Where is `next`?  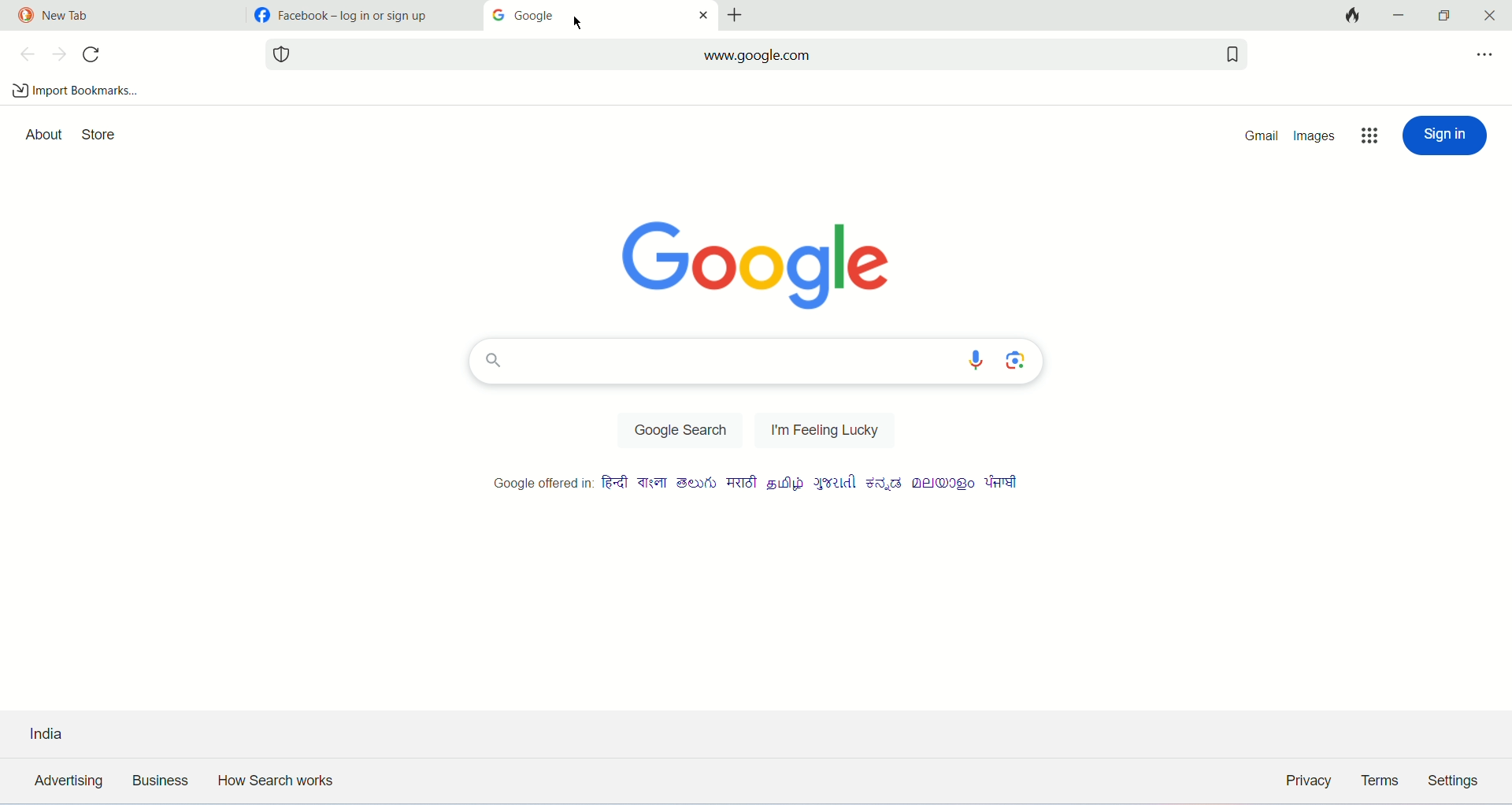 next is located at coordinates (59, 56).